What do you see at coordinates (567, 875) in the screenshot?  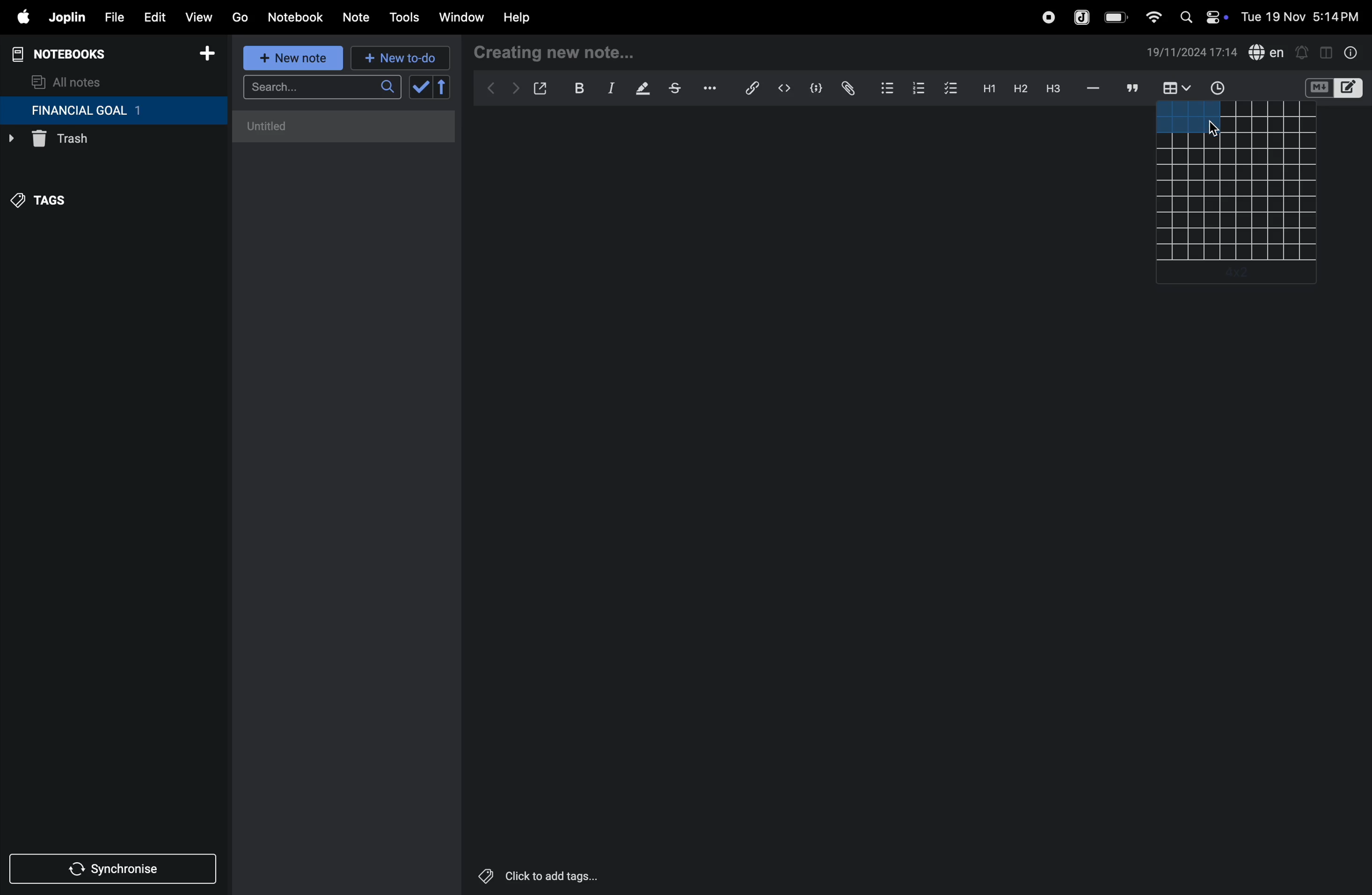 I see `click to add tags` at bounding box center [567, 875].